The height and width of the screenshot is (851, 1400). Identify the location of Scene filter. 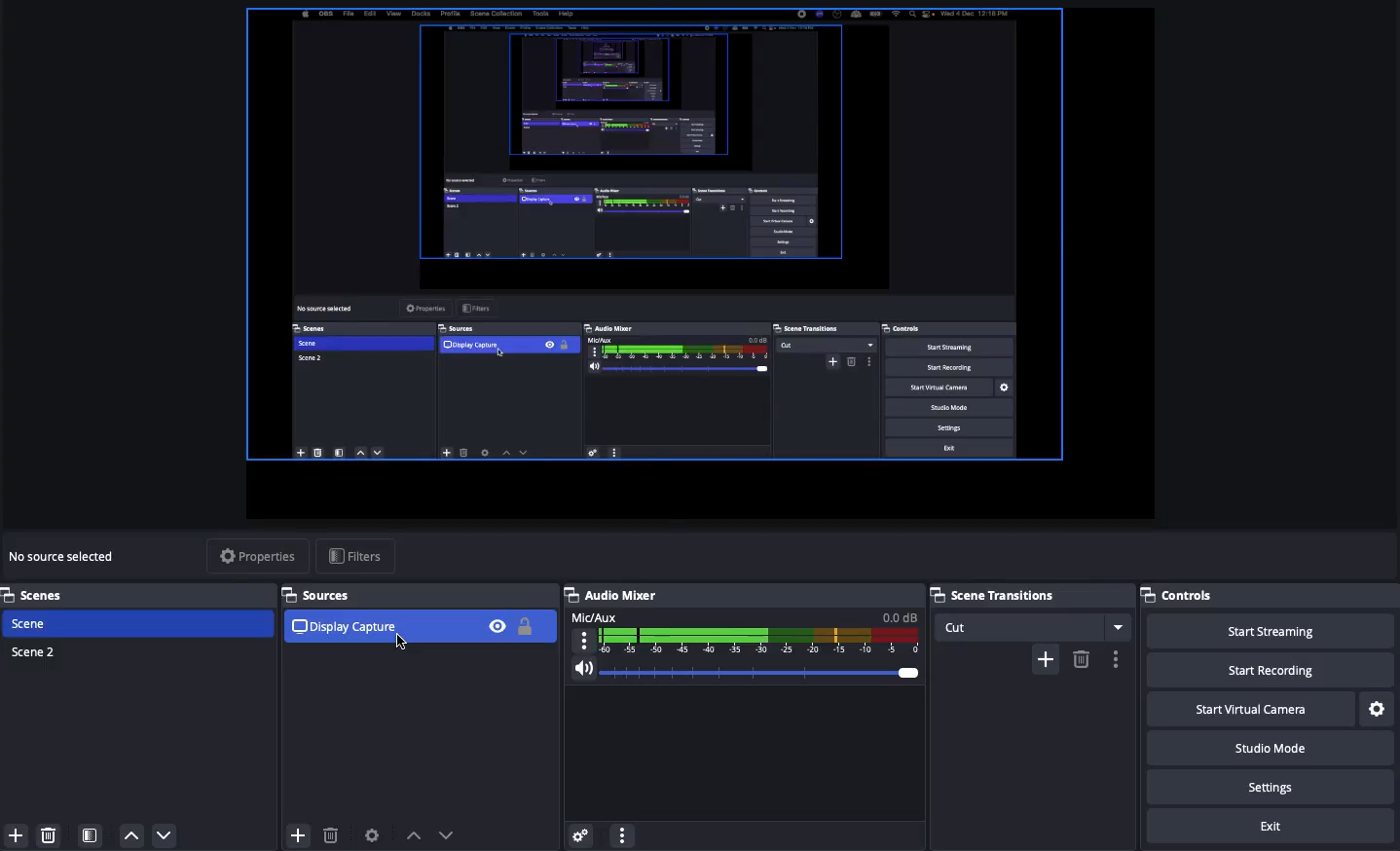
(91, 834).